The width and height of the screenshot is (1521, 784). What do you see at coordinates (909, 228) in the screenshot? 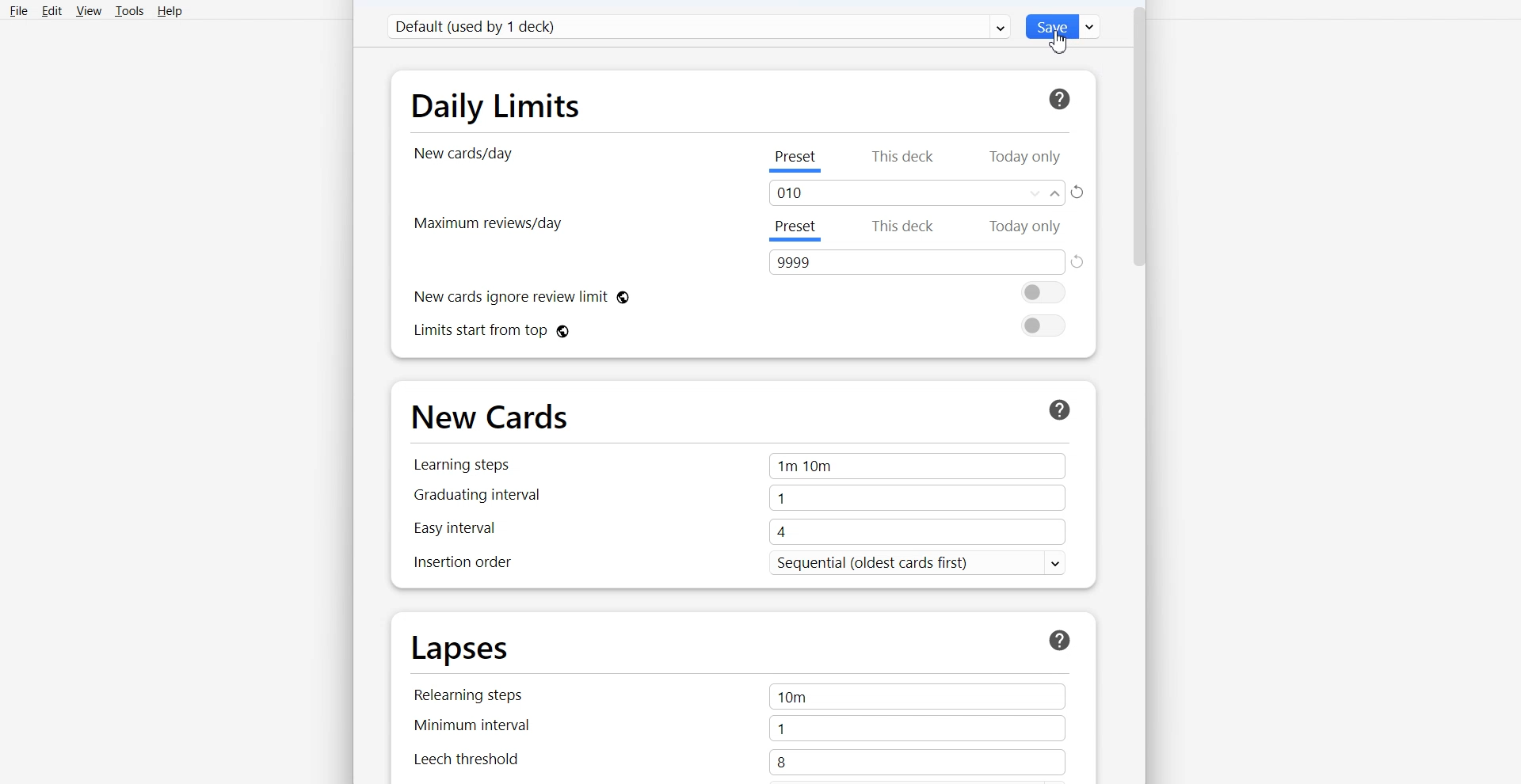
I see `This deck` at bounding box center [909, 228].